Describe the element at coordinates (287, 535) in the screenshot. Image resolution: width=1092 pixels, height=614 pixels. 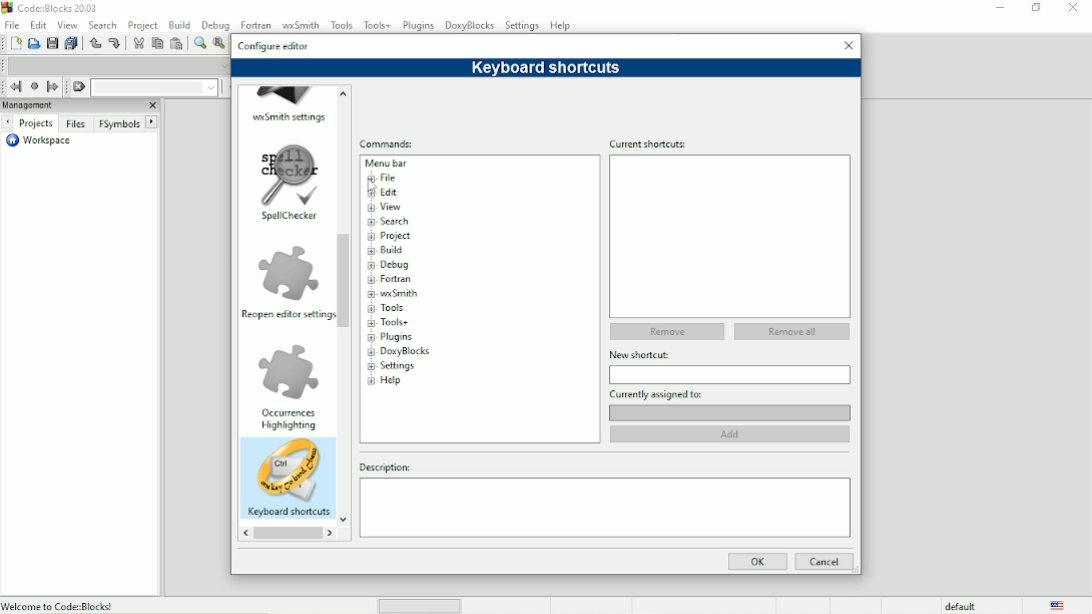
I see `Horizontal scrollbar` at that location.